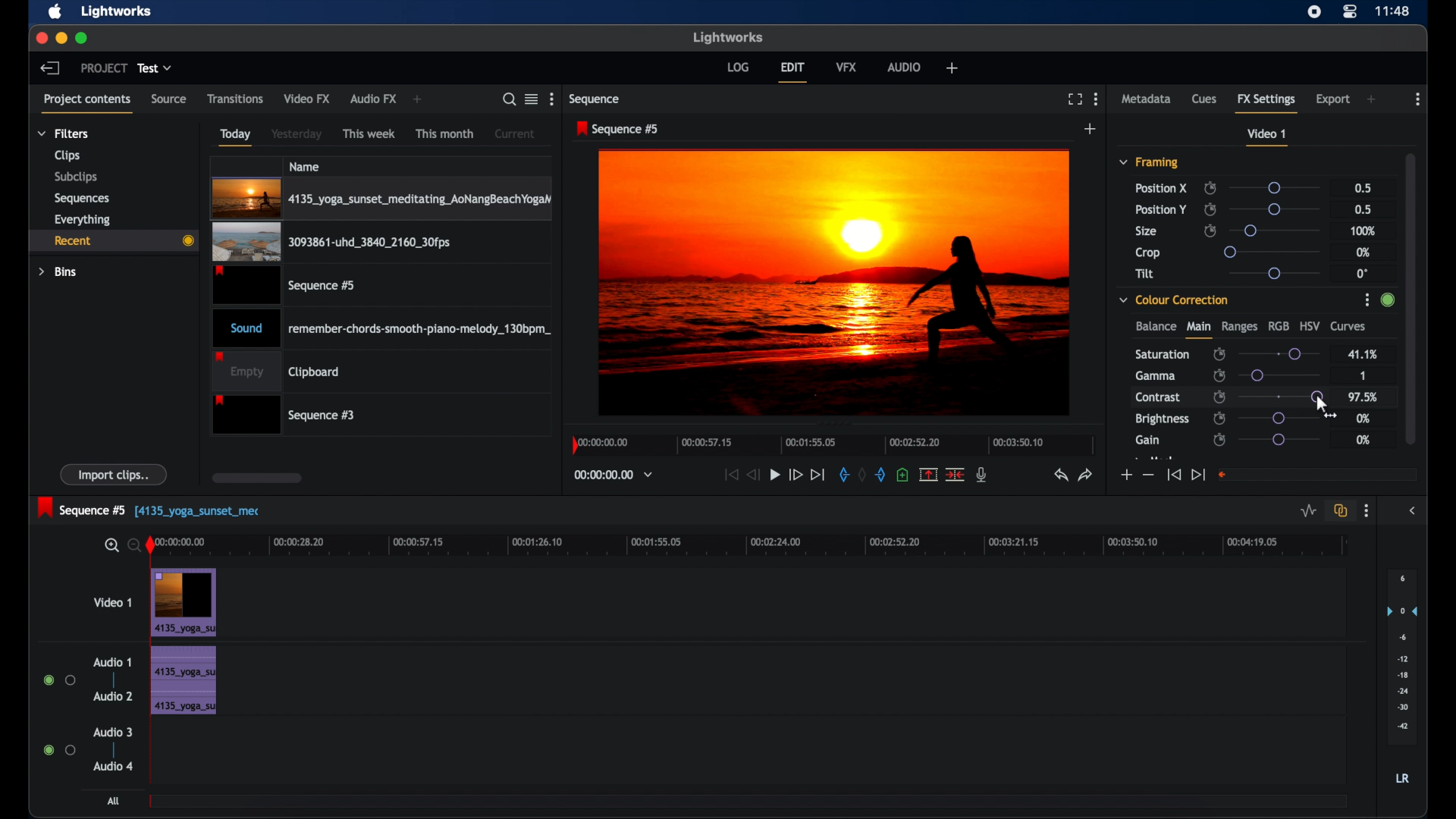  I want to click on minimize, so click(58, 38).